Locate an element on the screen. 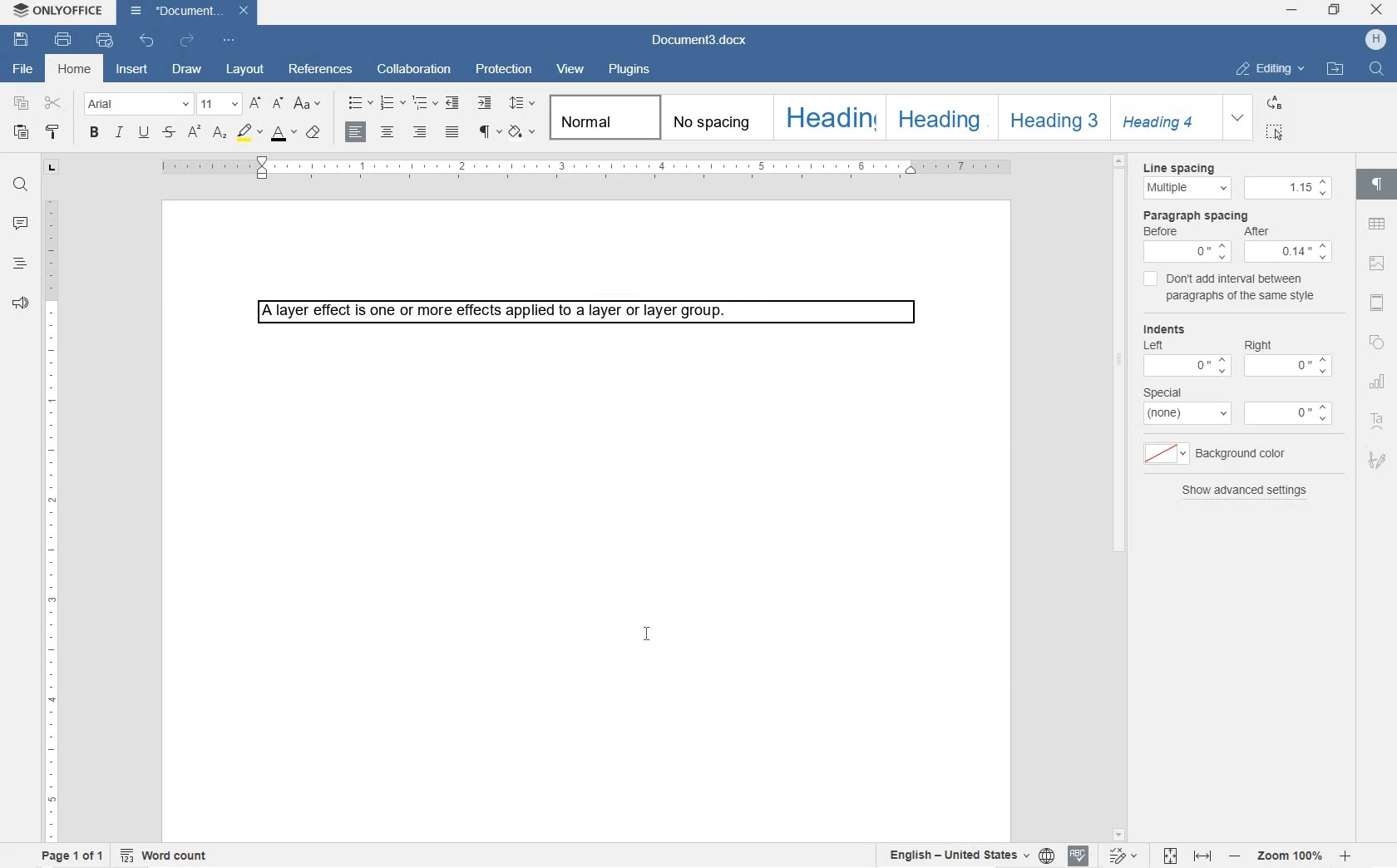  ALIGN RIGHT is located at coordinates (419, 132).